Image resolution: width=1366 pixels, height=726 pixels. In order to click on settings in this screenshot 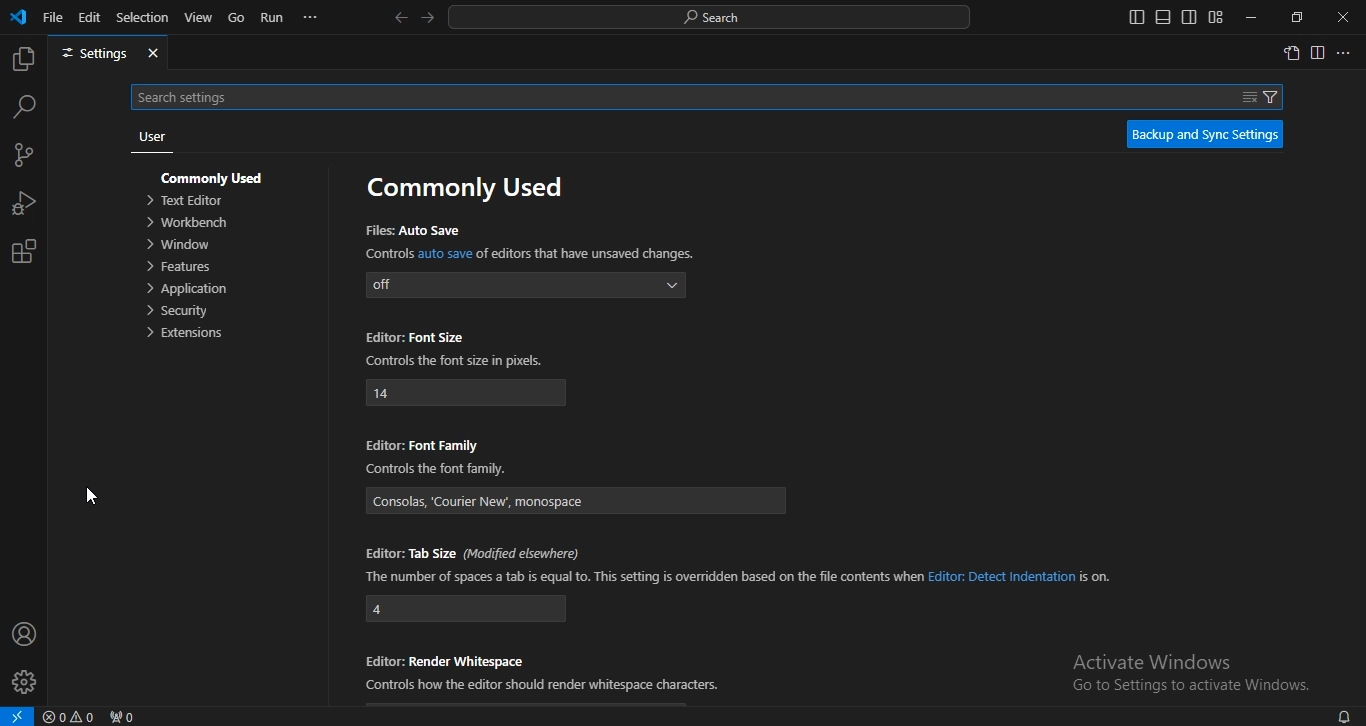, I will do `click(108, 54)`.